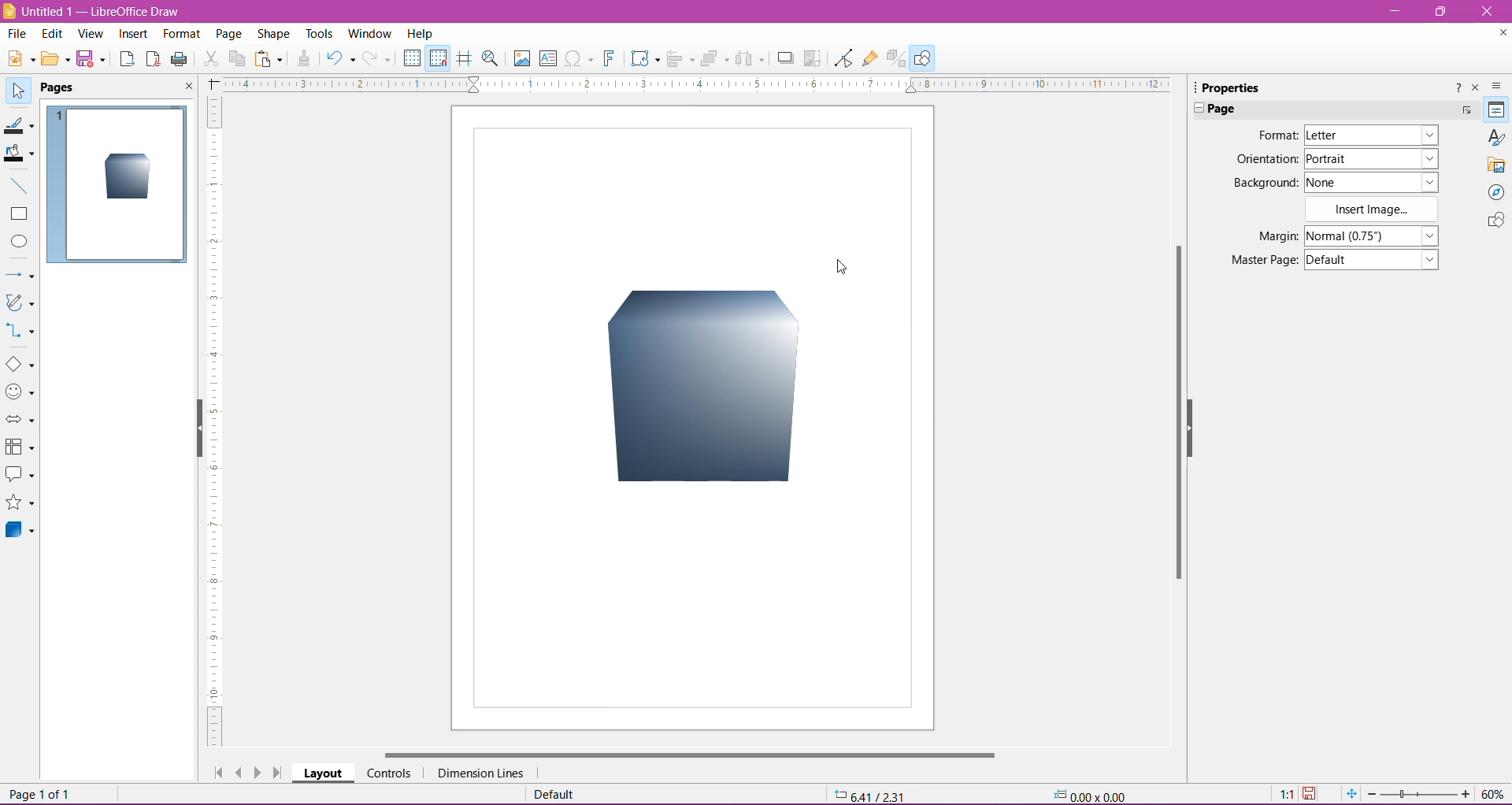 This screenshot has width=1512, height=805. I want to click on Close Document, so click(1499, 35).